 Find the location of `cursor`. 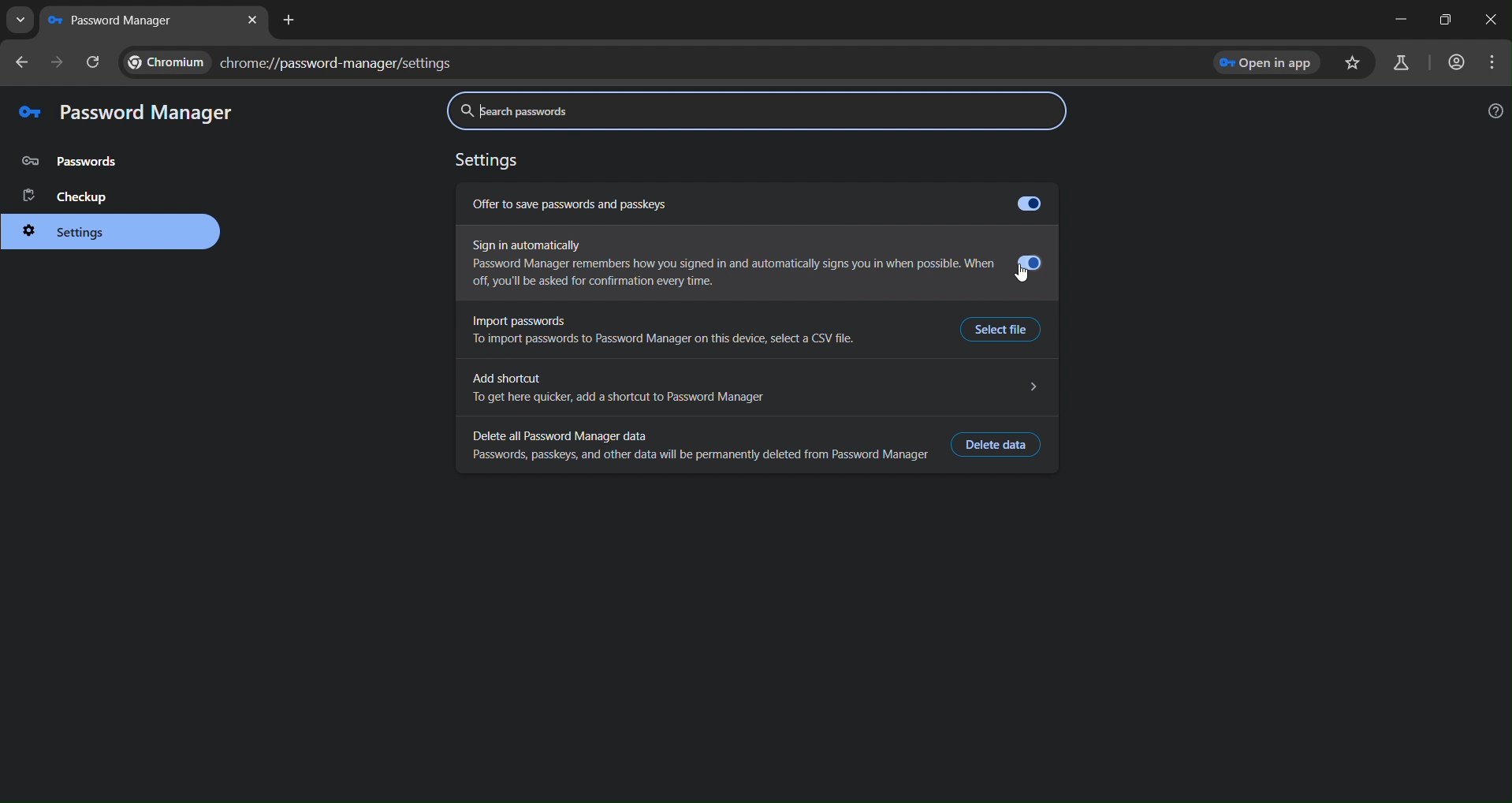

cursor is located at coordinates (1022, 275).